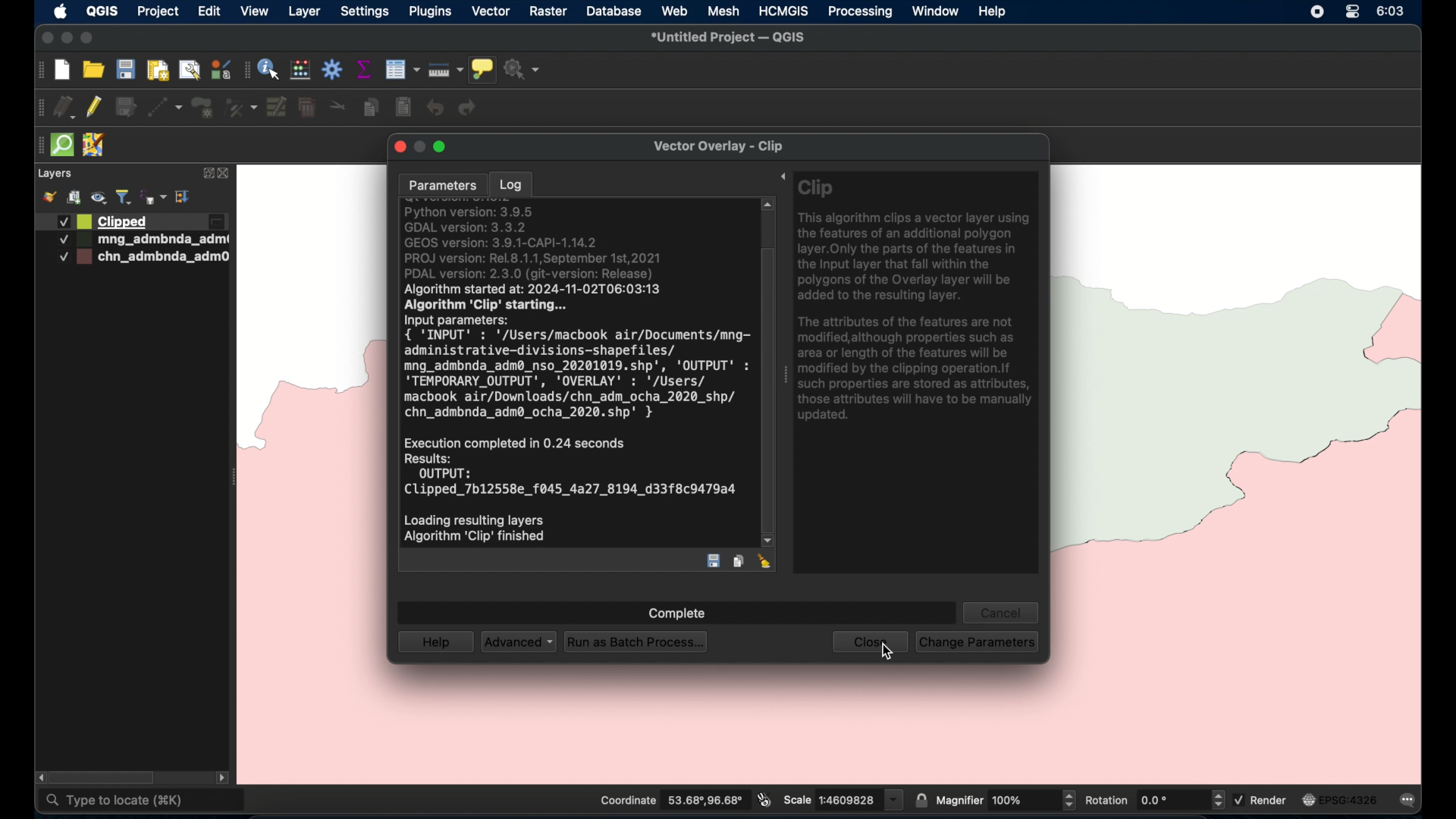 The image size is (1456, 819). I want to click on messages, so click(1410, 802).